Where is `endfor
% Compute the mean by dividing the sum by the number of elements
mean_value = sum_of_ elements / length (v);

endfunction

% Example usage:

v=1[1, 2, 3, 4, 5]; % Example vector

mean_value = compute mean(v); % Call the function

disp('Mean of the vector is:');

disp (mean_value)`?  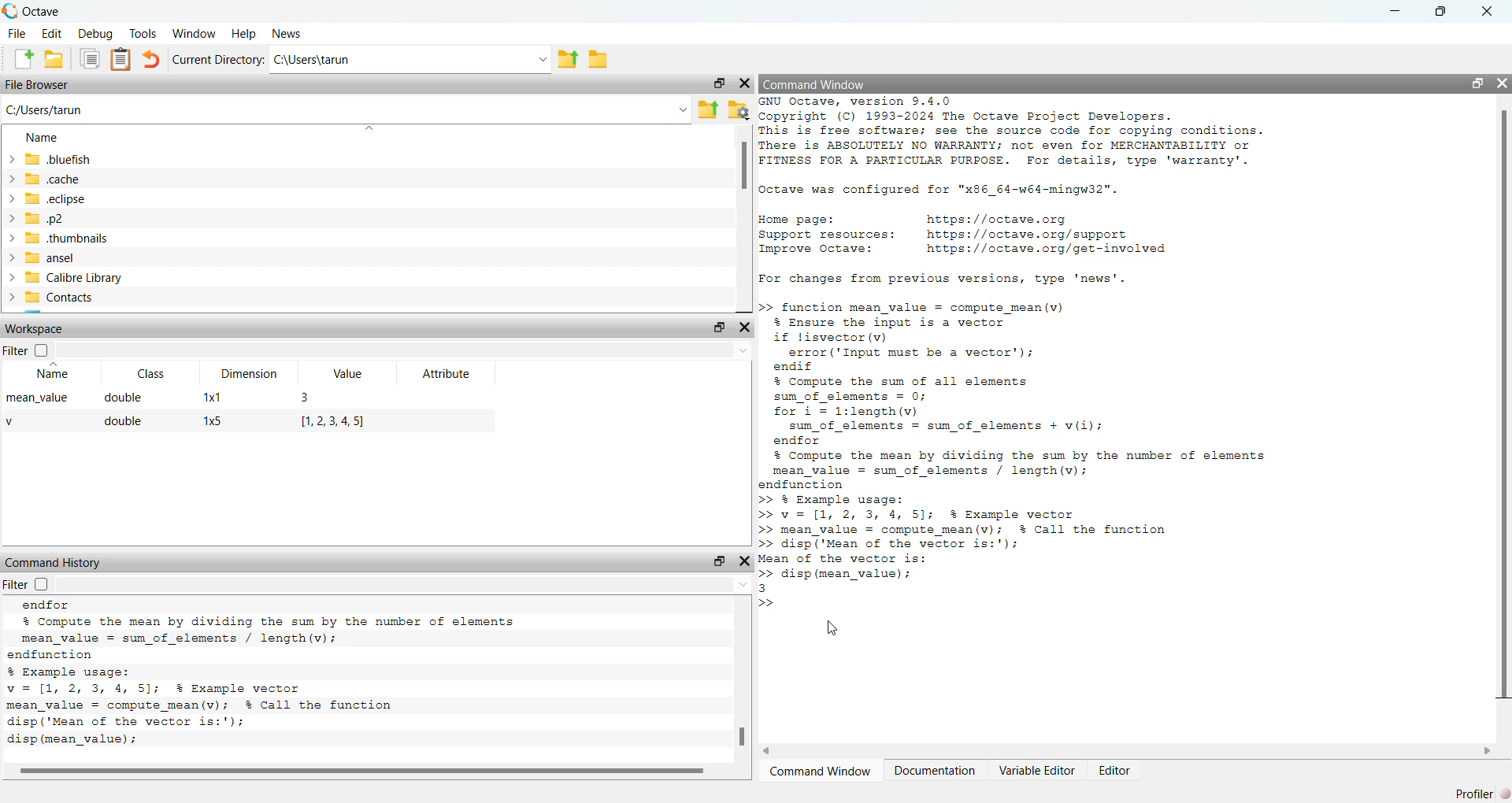 endfor
% Compute the mean by dividing the sum by the number of elements
mean_value = sum_of_ elements / length (v);

endfunction

% Example usage:

v=1[1, 2, 3, 4, 5]; % Example vector

mean_value = compute mean(v); % Call the function

disp('Mean of the vector is:');

disp (mean_value) is located at coordinates (261, 675).